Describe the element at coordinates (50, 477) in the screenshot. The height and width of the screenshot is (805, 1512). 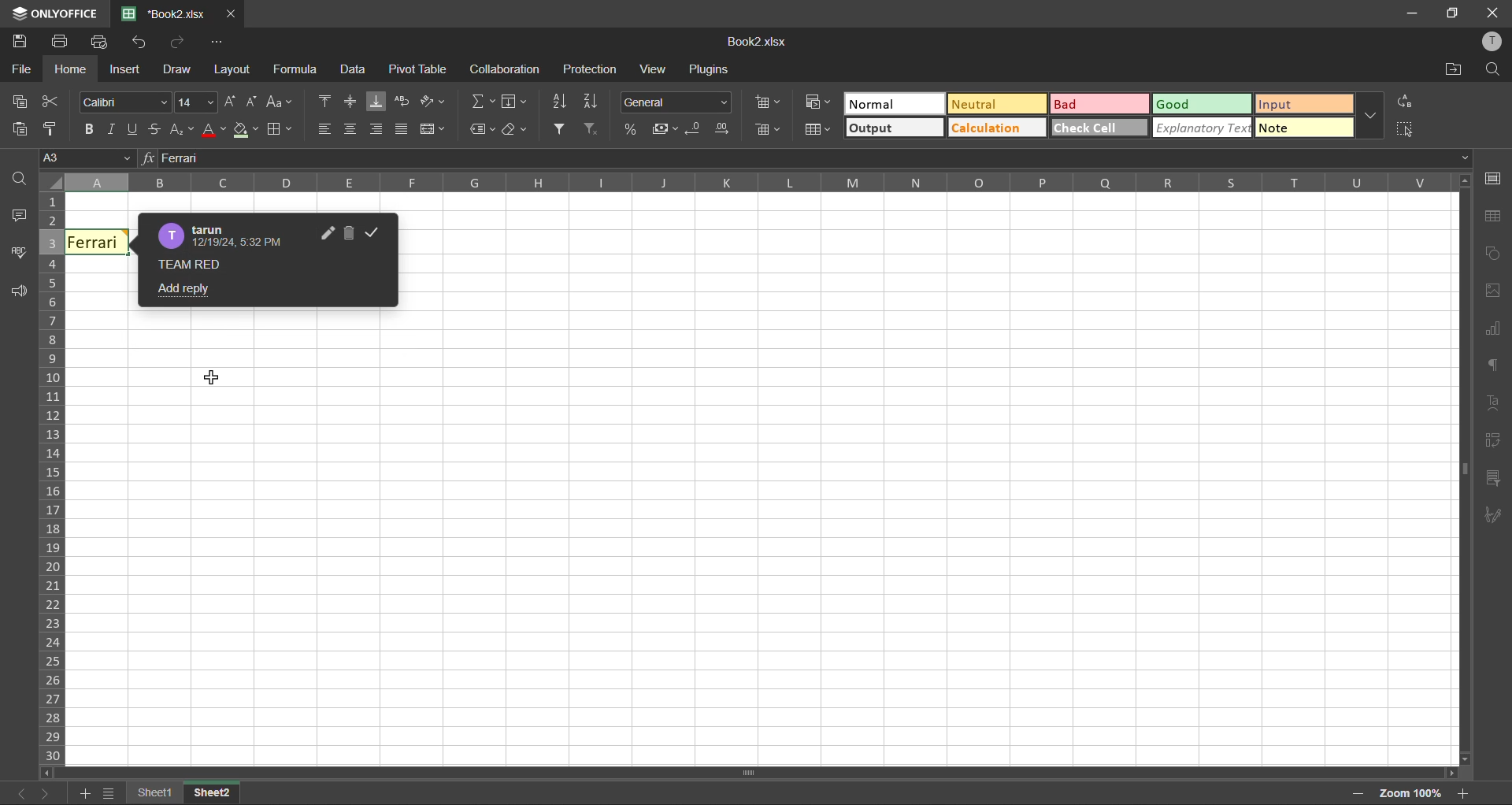
I see `row numbers` at that location.